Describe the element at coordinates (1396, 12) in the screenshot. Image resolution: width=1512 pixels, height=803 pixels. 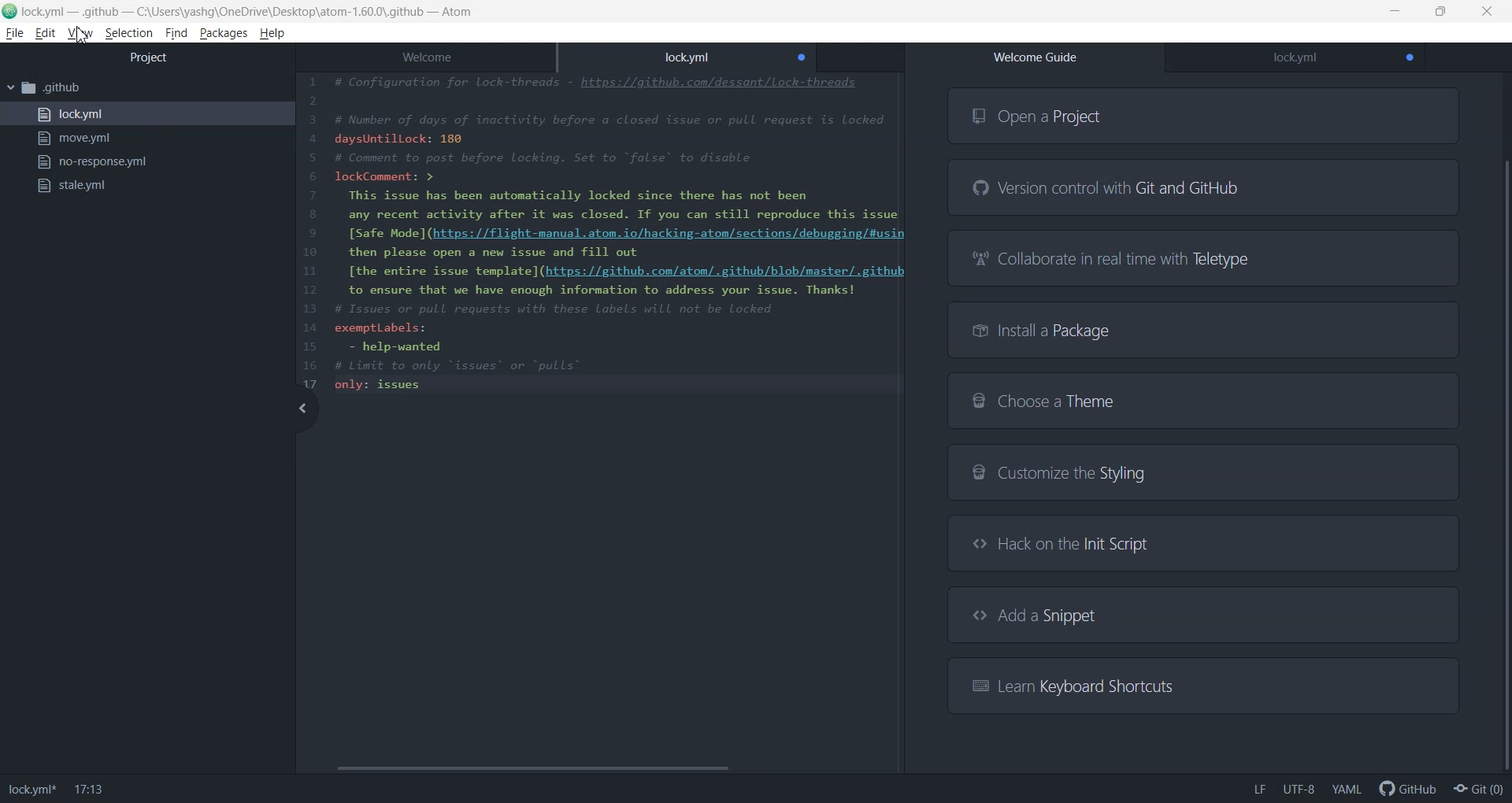
I see `Minimize` at that location.